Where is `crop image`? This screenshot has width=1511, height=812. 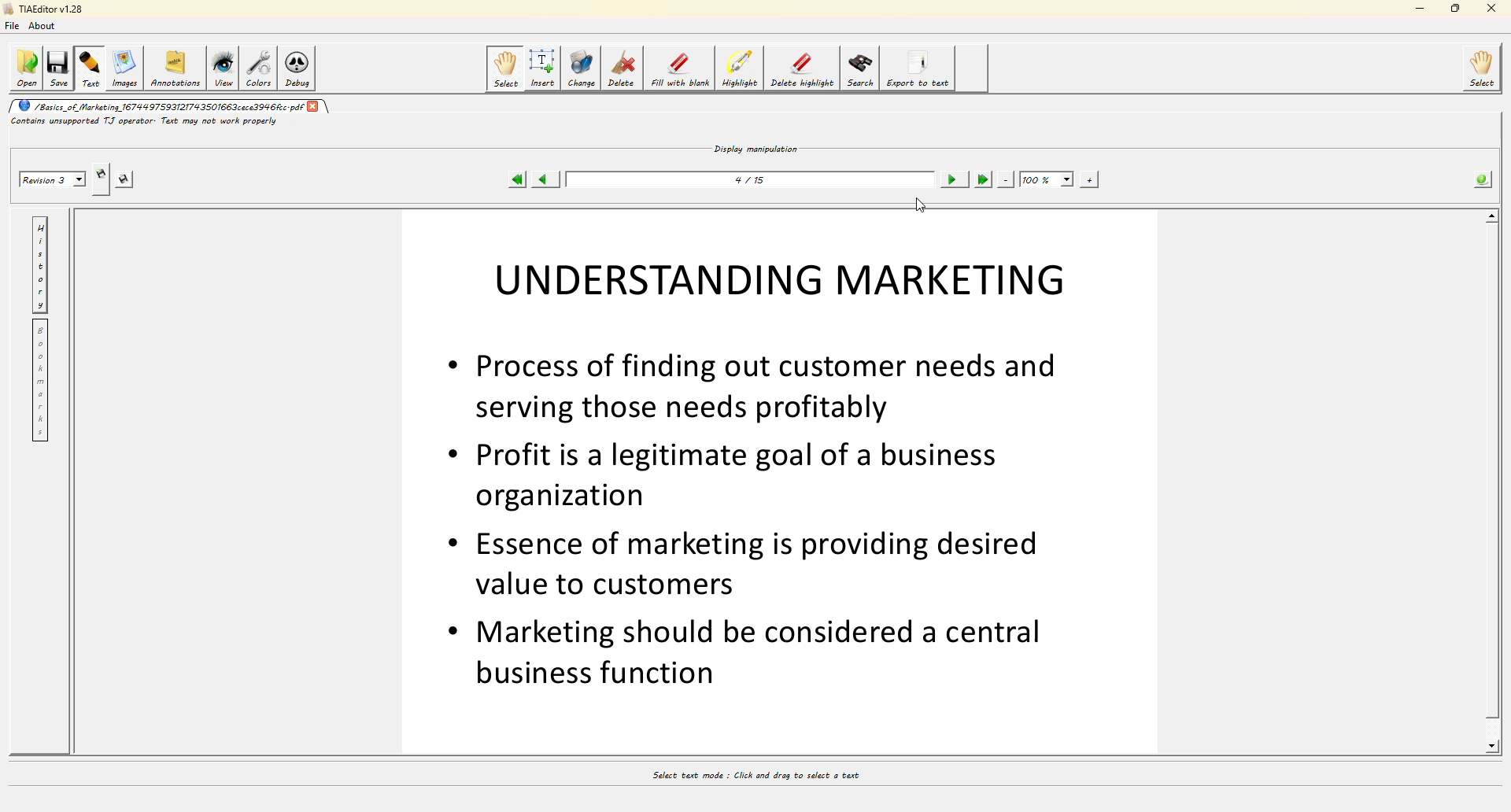
crop image is located at coordinates (763, 478).